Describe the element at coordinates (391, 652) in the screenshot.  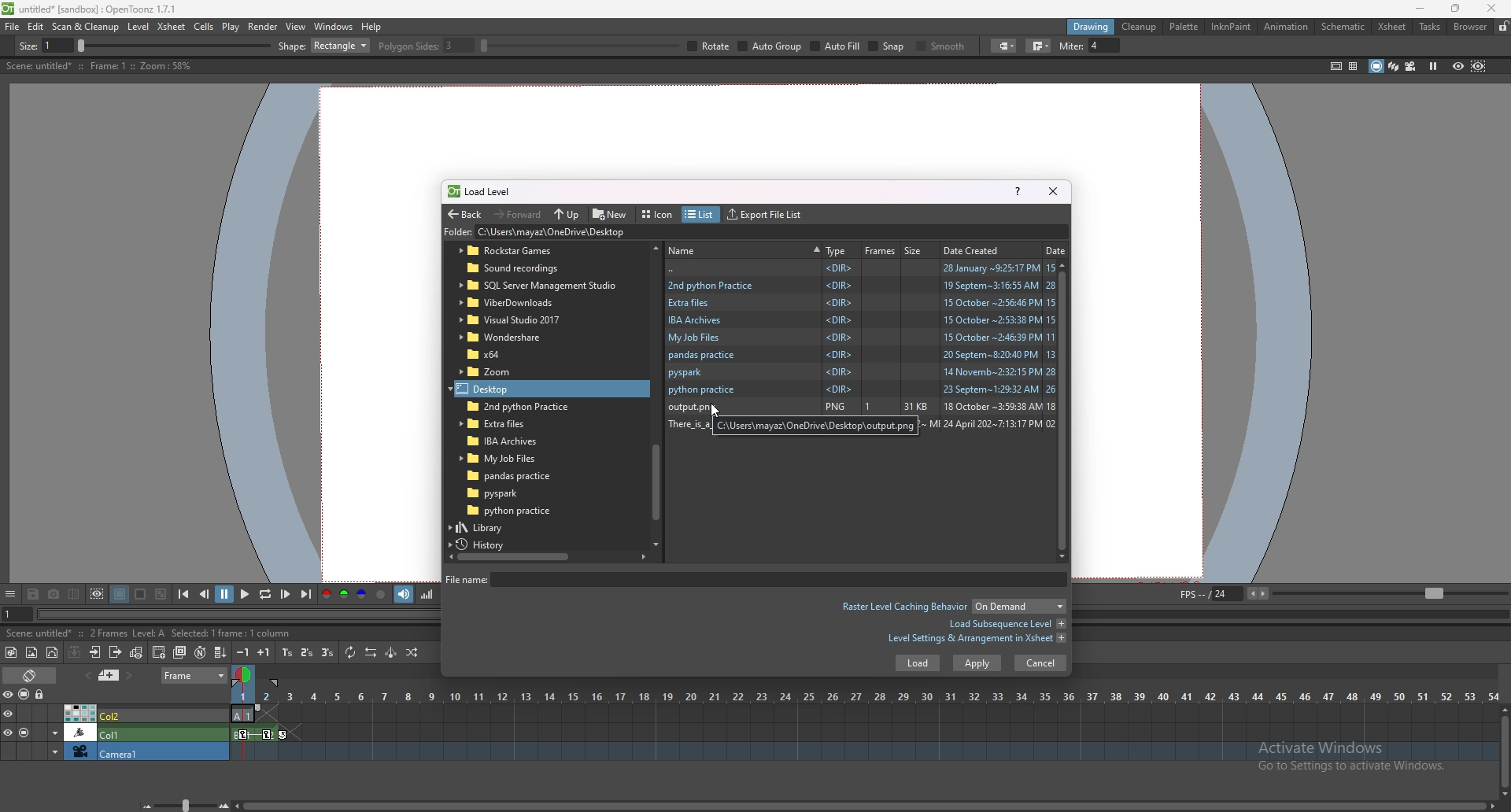
I see `swing` at that location.